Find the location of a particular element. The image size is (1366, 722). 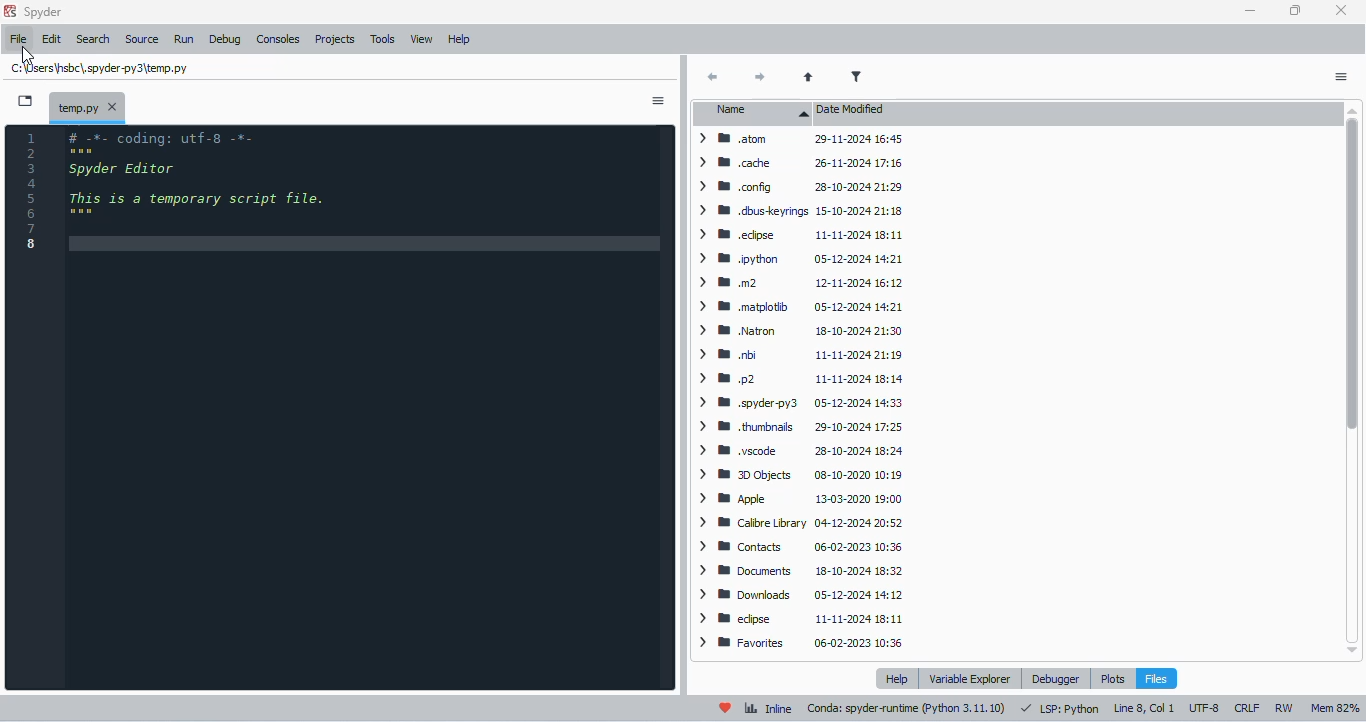

plots is located at coordinates (1112, 678).